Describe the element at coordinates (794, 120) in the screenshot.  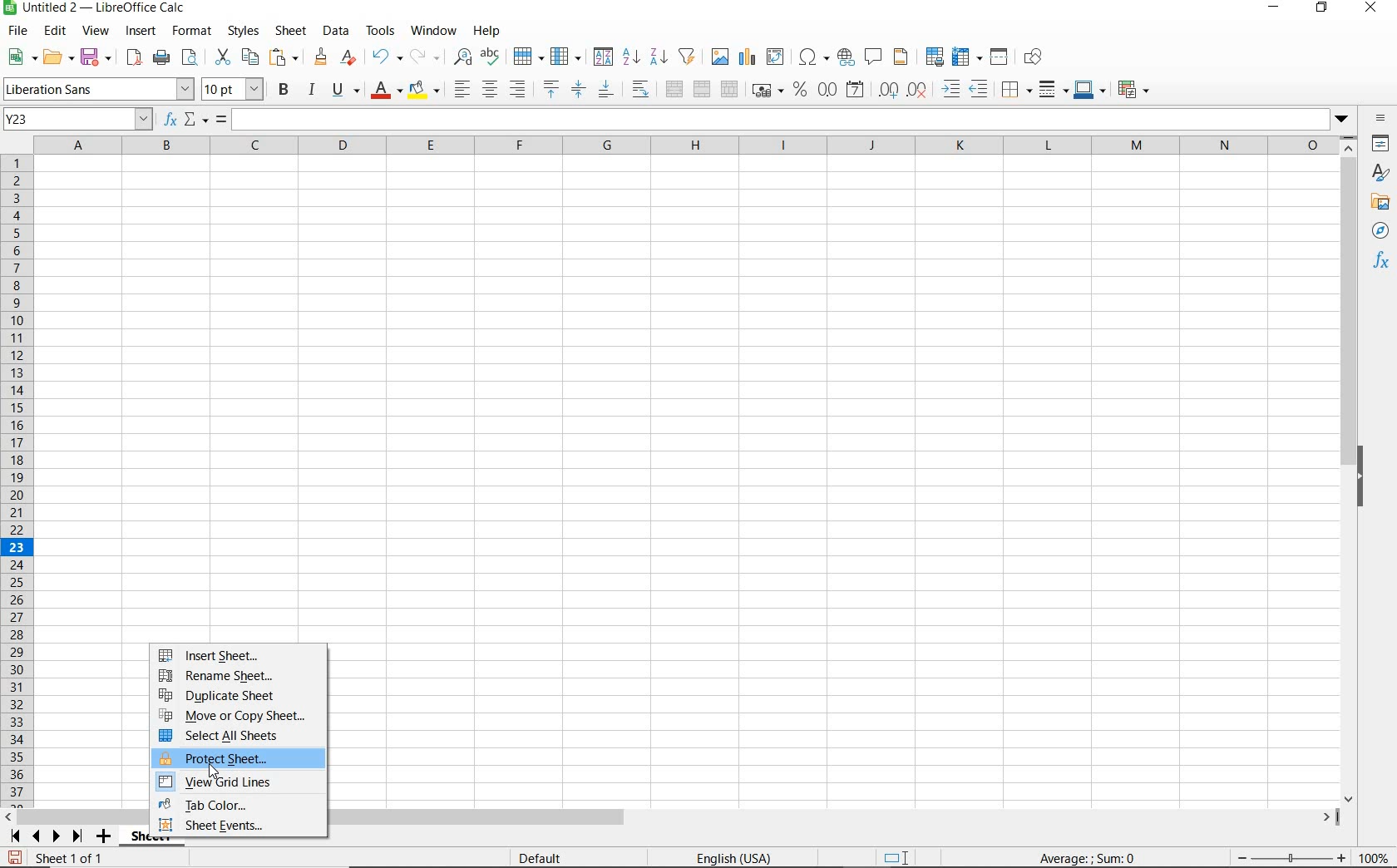
I see `EXPAND FORMULA BAR` at that location.